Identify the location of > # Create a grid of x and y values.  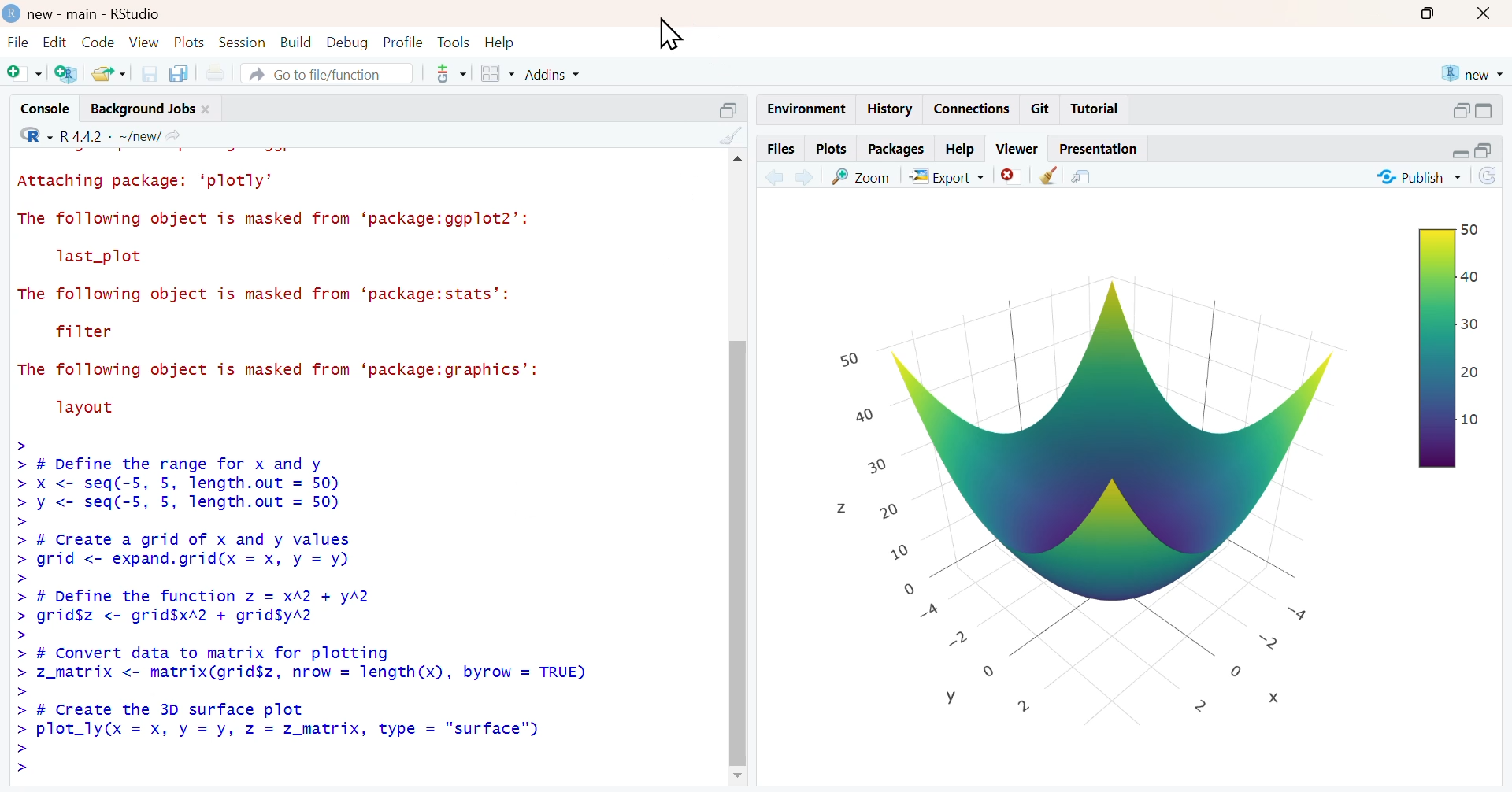
(185, 540).